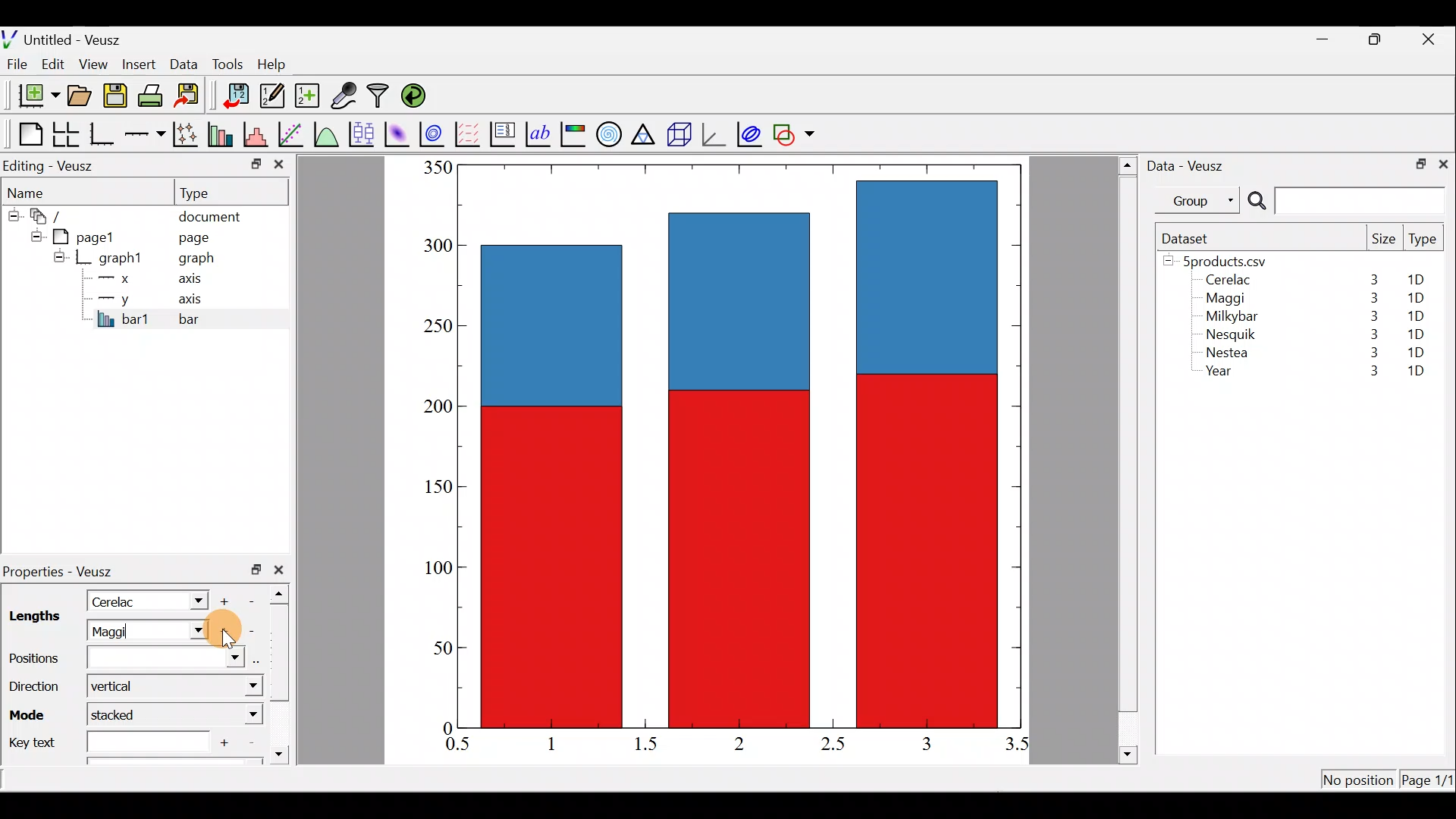 Image resolution: width=1456 pixels, height=819 pixels. I want to click on Histogram of a dataset, so click(260, 135).